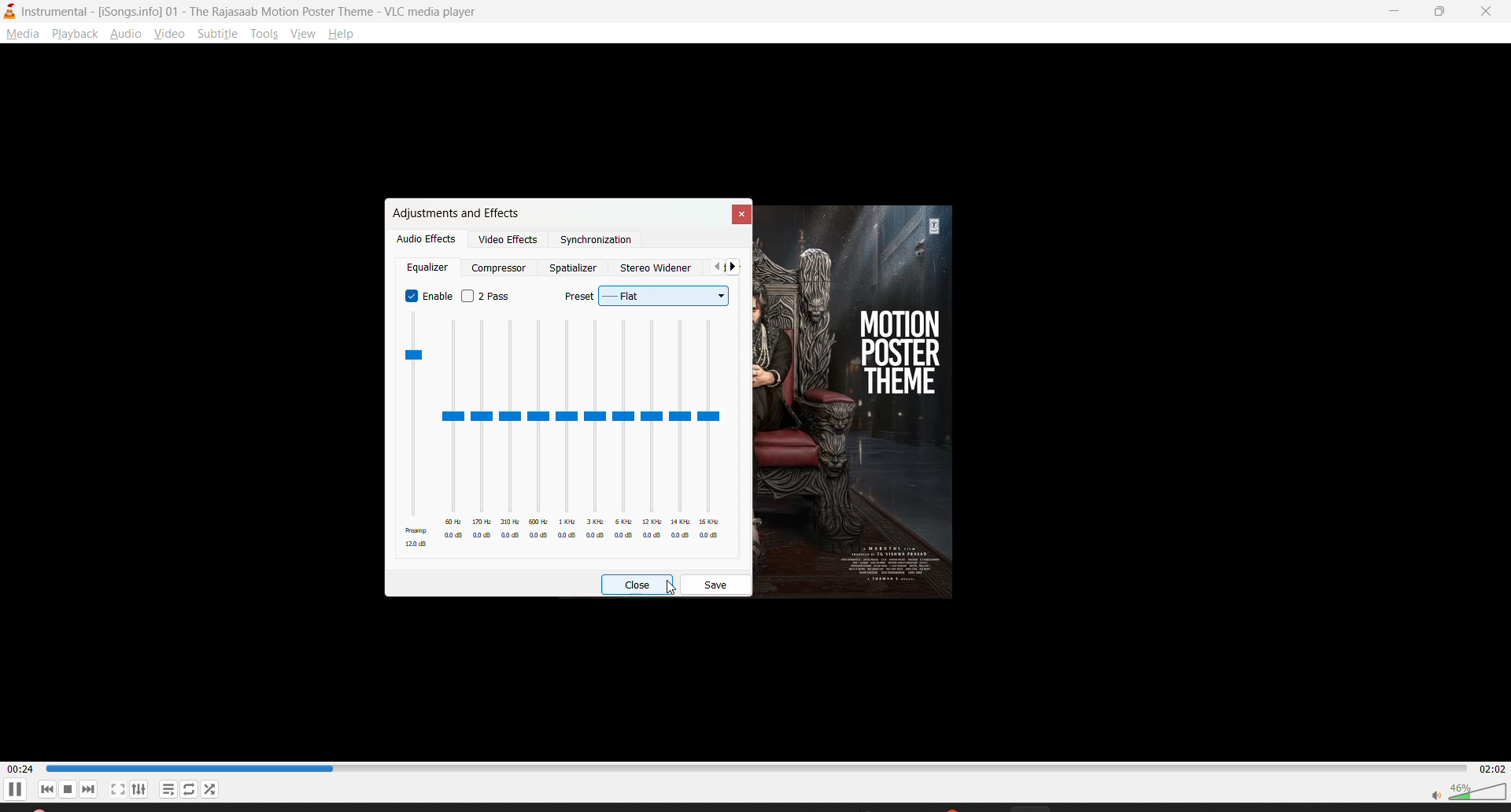 The image size is (1511, 812). I want to click on audio effects, so click(427, 239).